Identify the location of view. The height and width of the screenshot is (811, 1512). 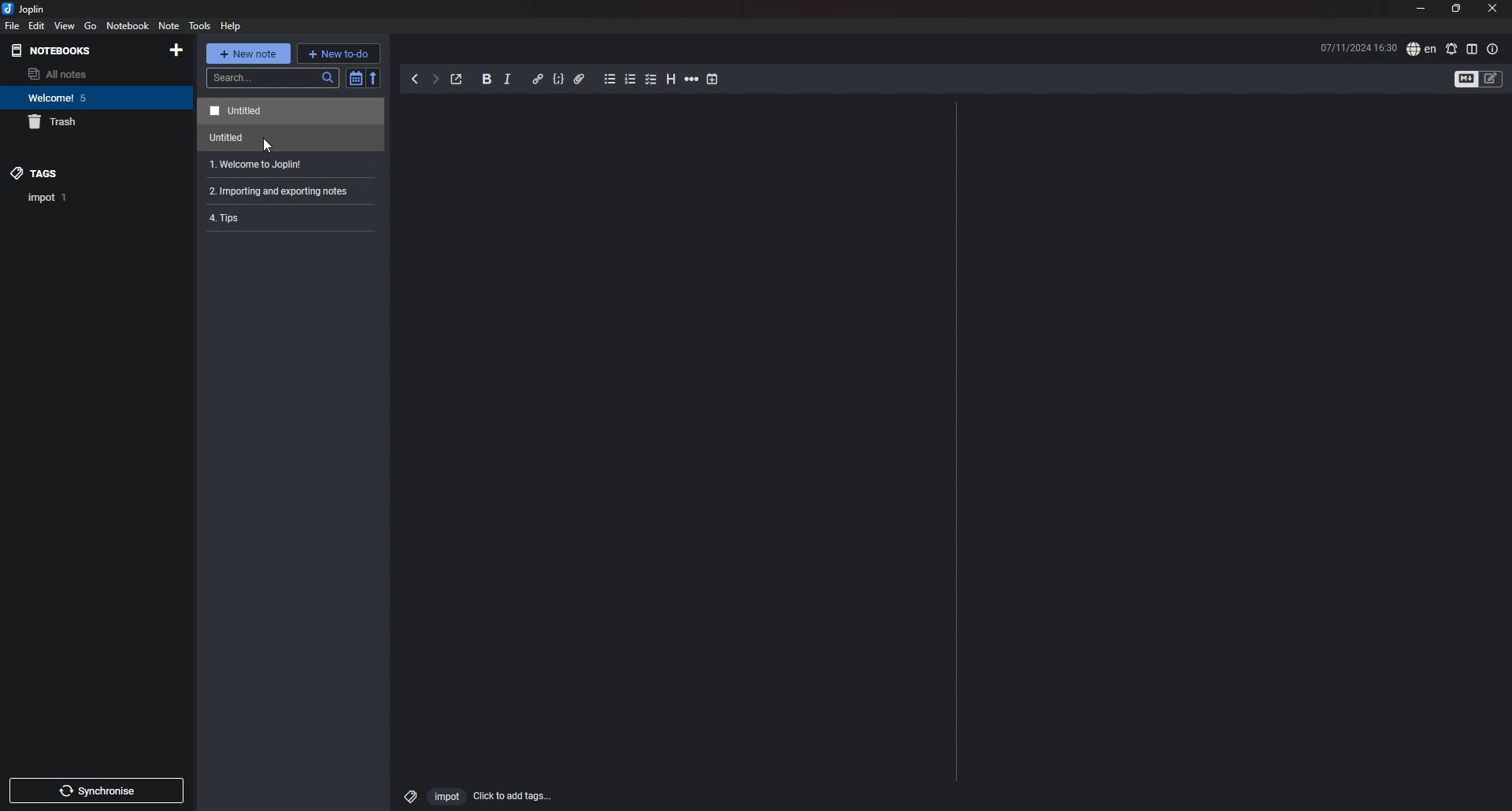
(65, 26).